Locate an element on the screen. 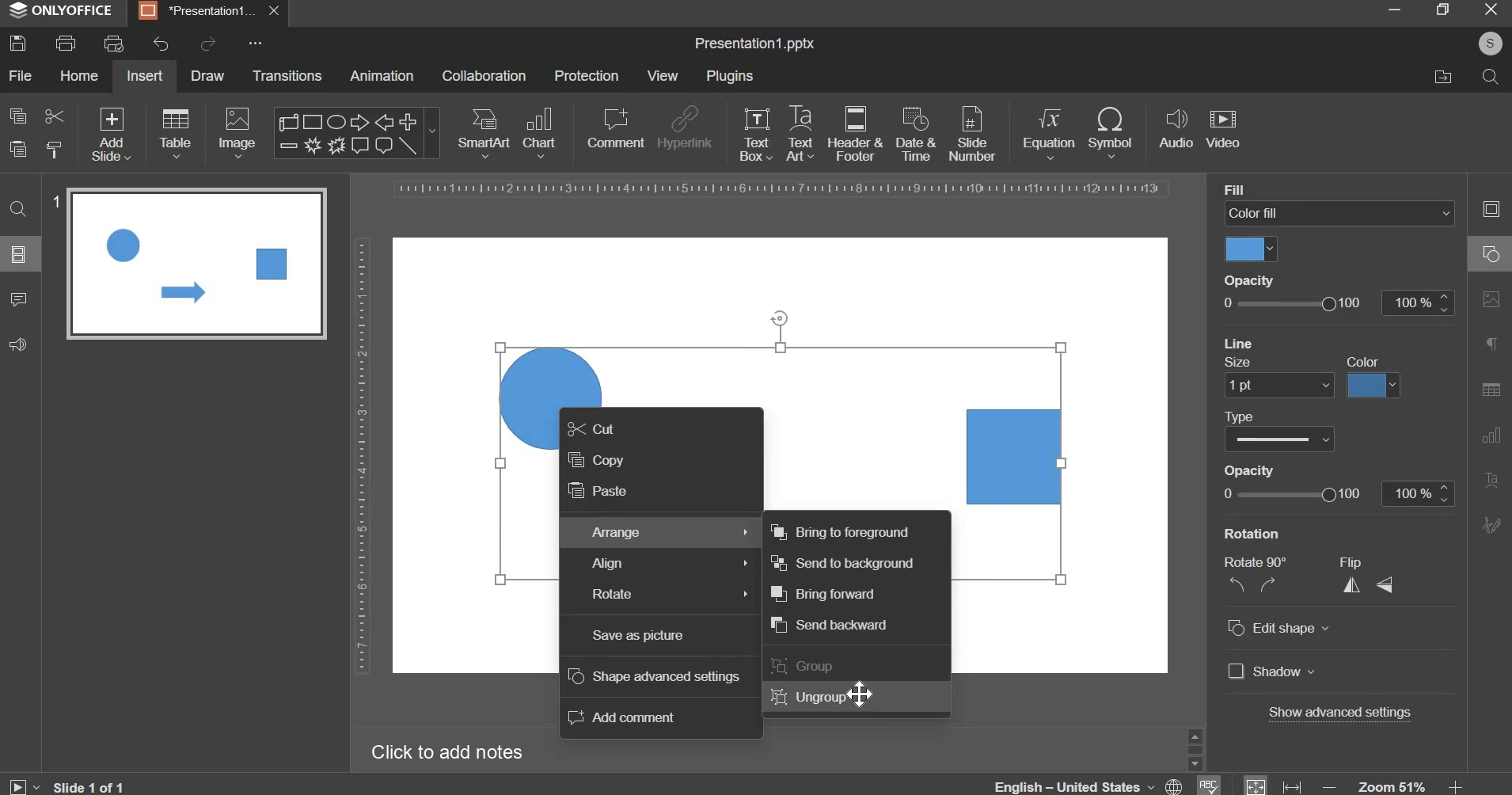 This screenshot has height=795, width=1512. header & footer is located at coordinates (854, 133).